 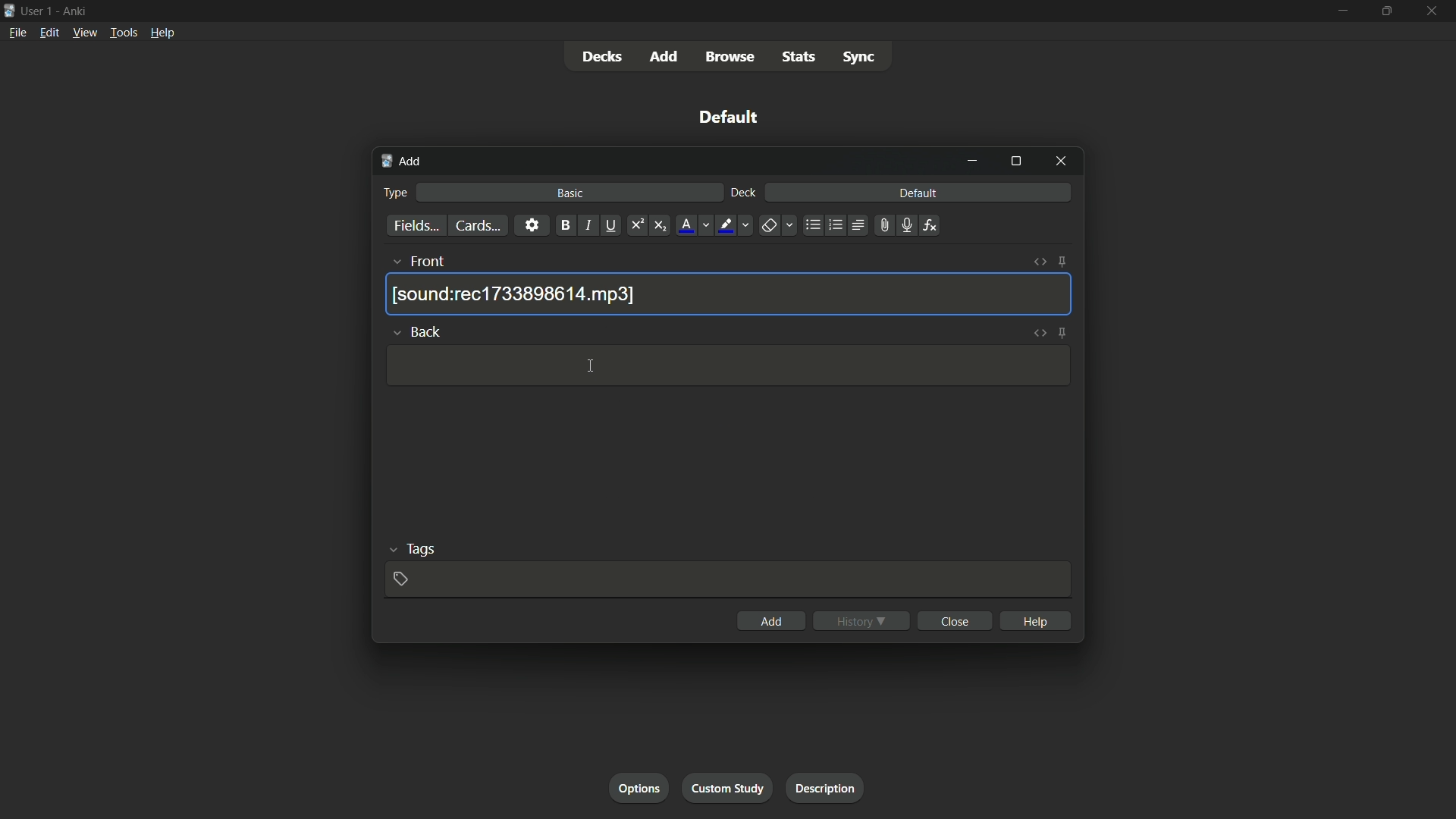 I want to click on close, so click(x=954, y=621).